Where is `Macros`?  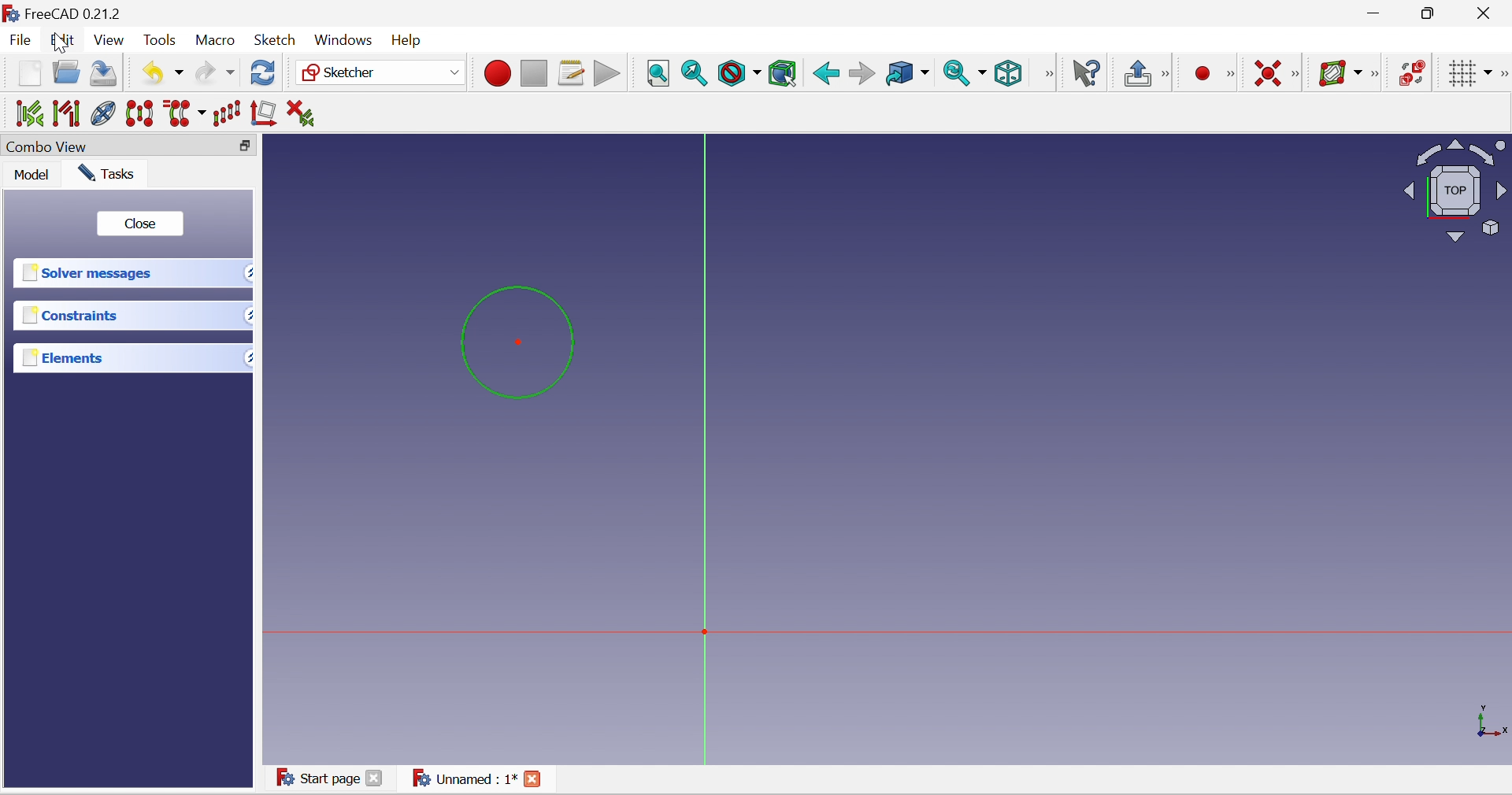 Macros is located at coordinates (572, 73).